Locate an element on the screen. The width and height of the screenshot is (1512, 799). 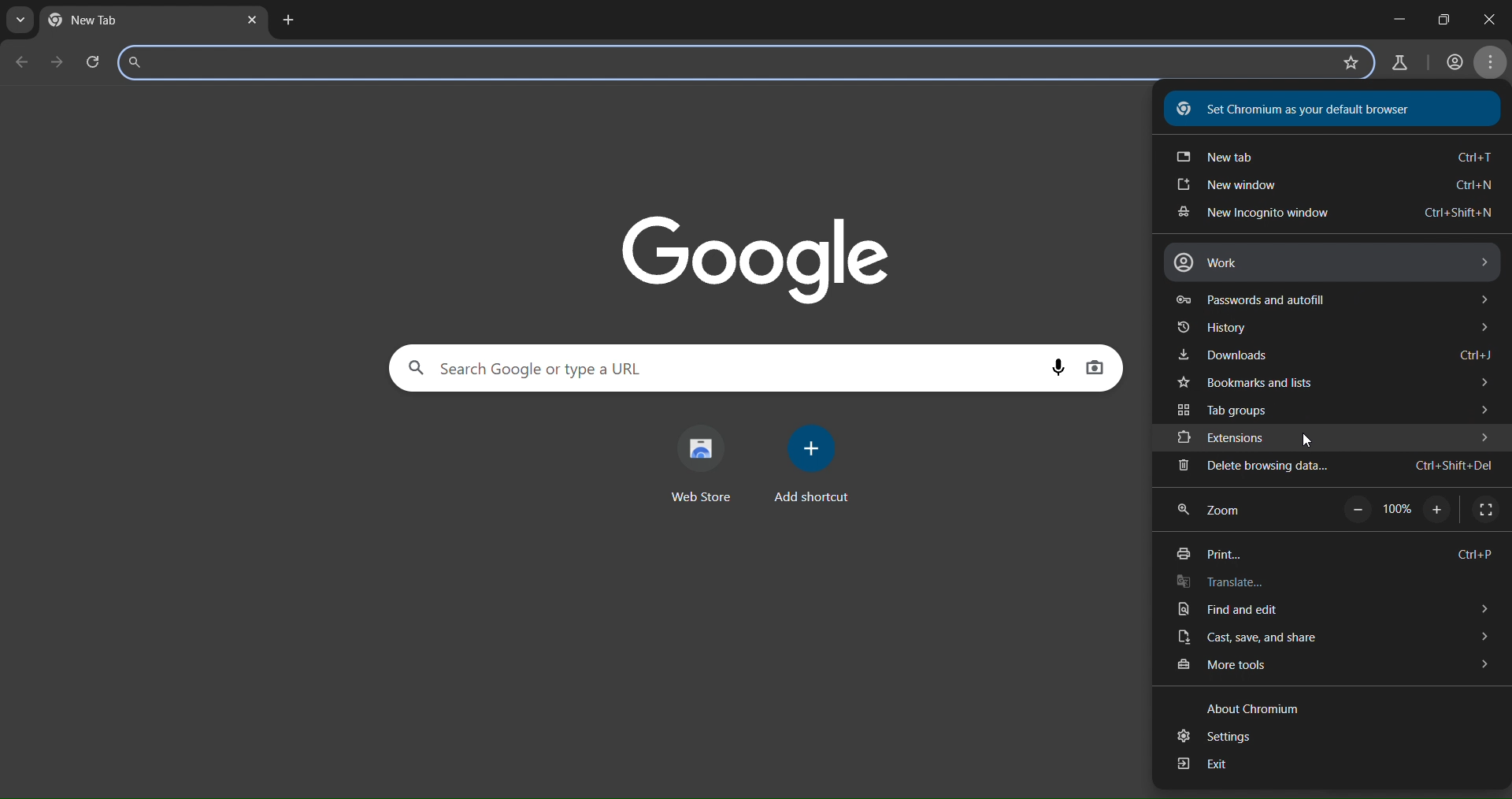
search labs is located at coordinates (1402, 63).